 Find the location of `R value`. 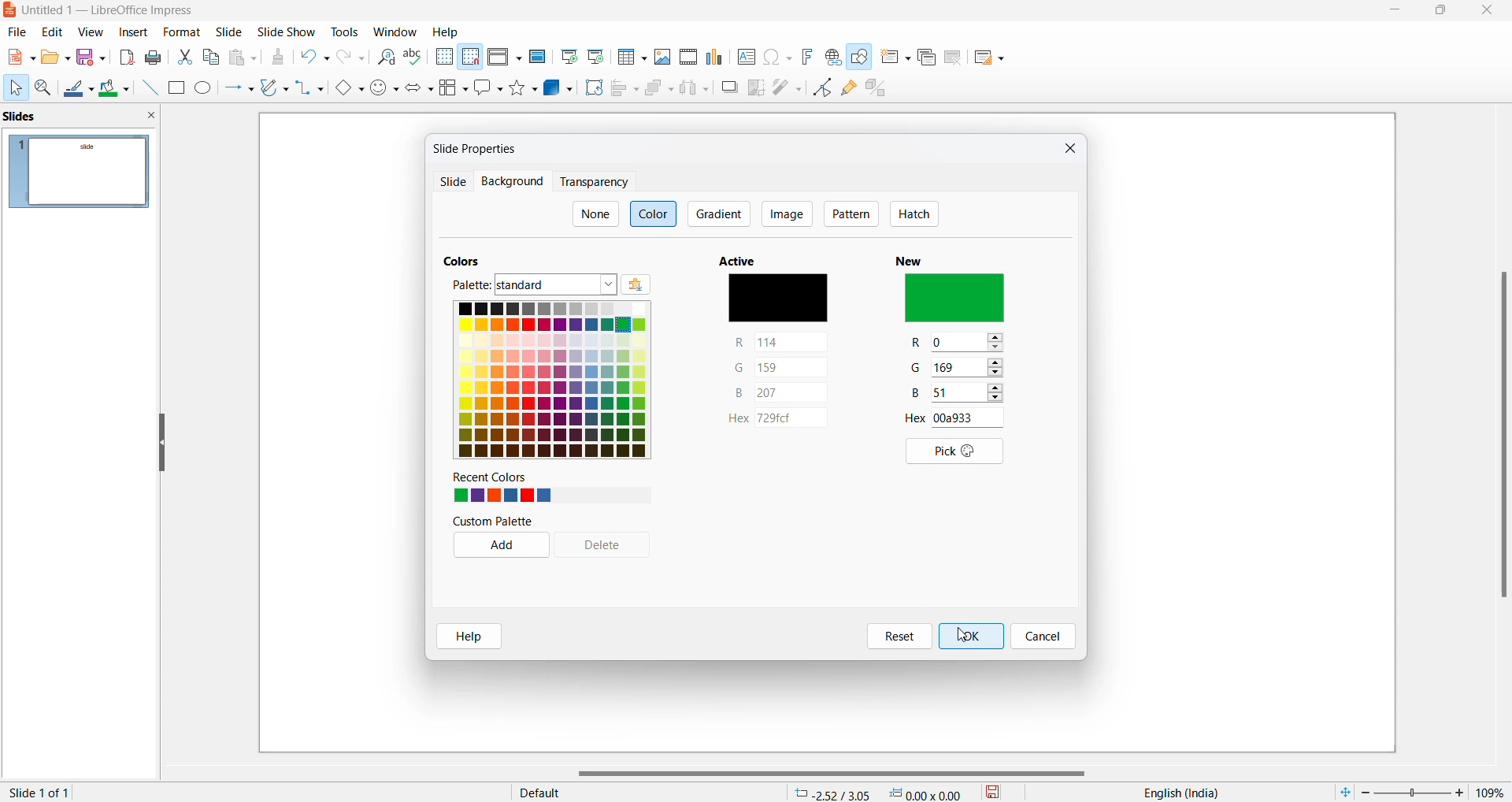

R value is located at coordinates (957, 340).